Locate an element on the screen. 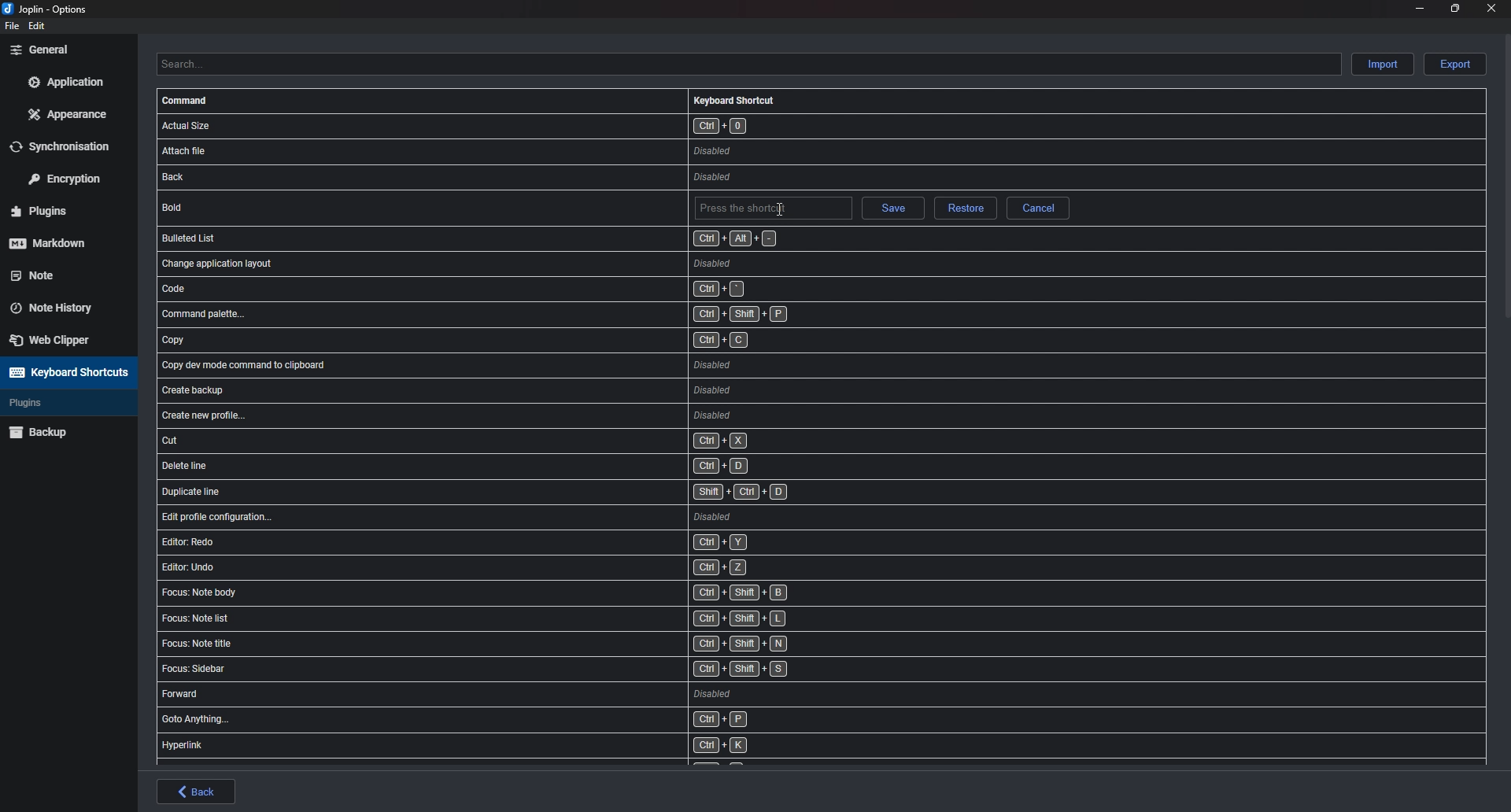  bold is located at coordinates (262, 206).